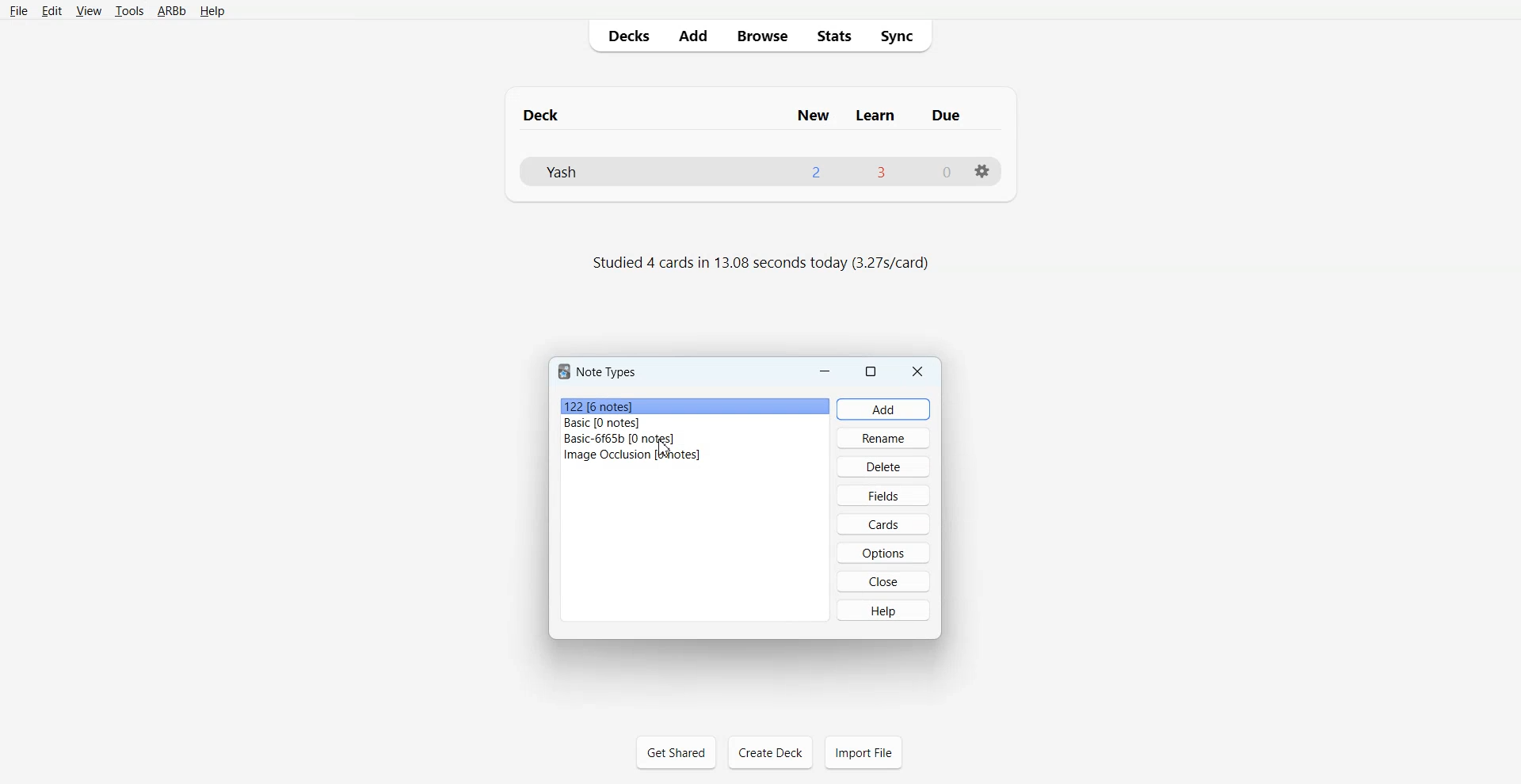 The width and height of the screenshot is (1521, 784). Describe the element at coordinates (172, 11) in the screenshot. I see `ARBb` at that location.